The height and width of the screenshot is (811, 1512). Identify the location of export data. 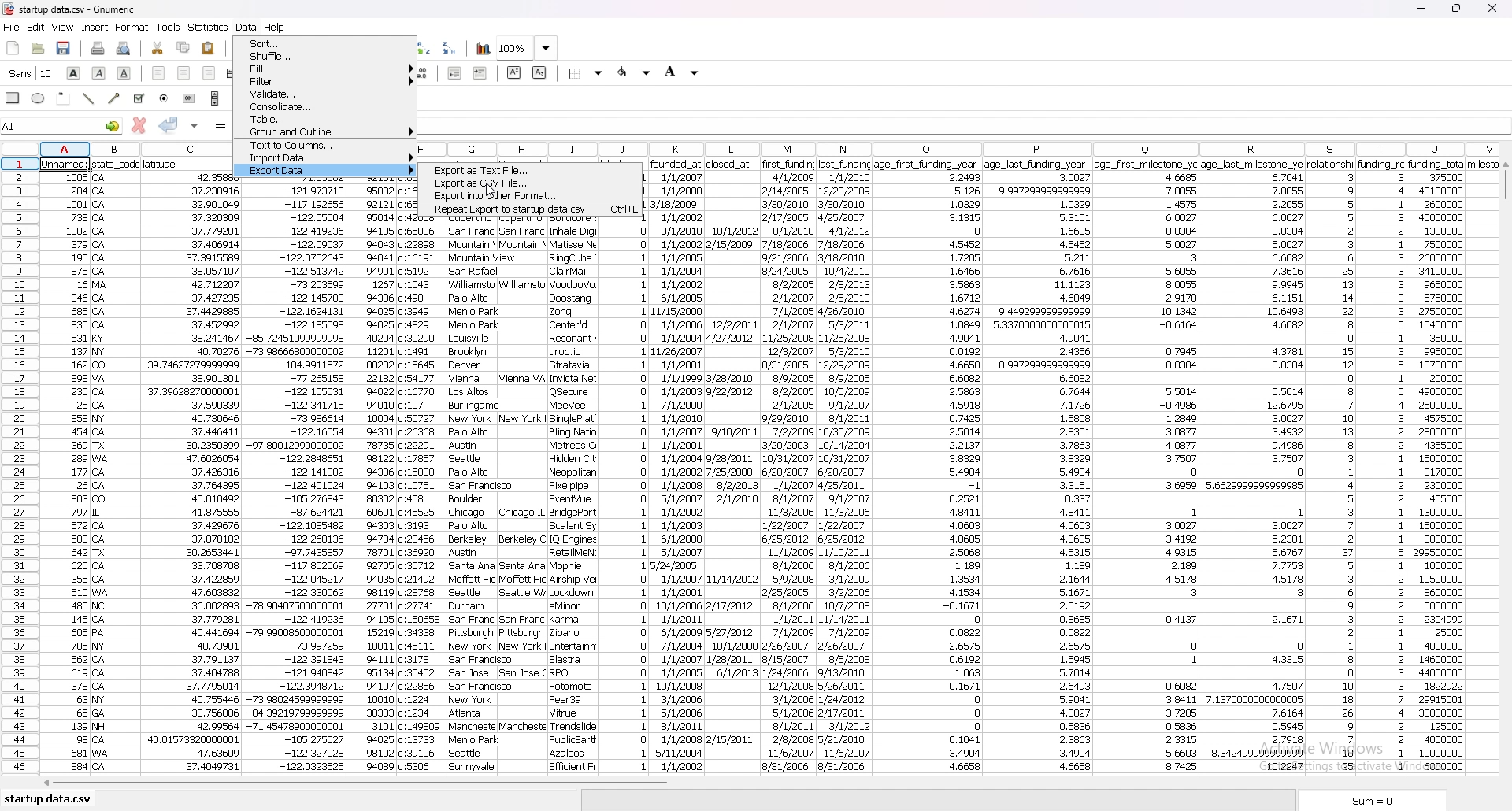
(328, 171).